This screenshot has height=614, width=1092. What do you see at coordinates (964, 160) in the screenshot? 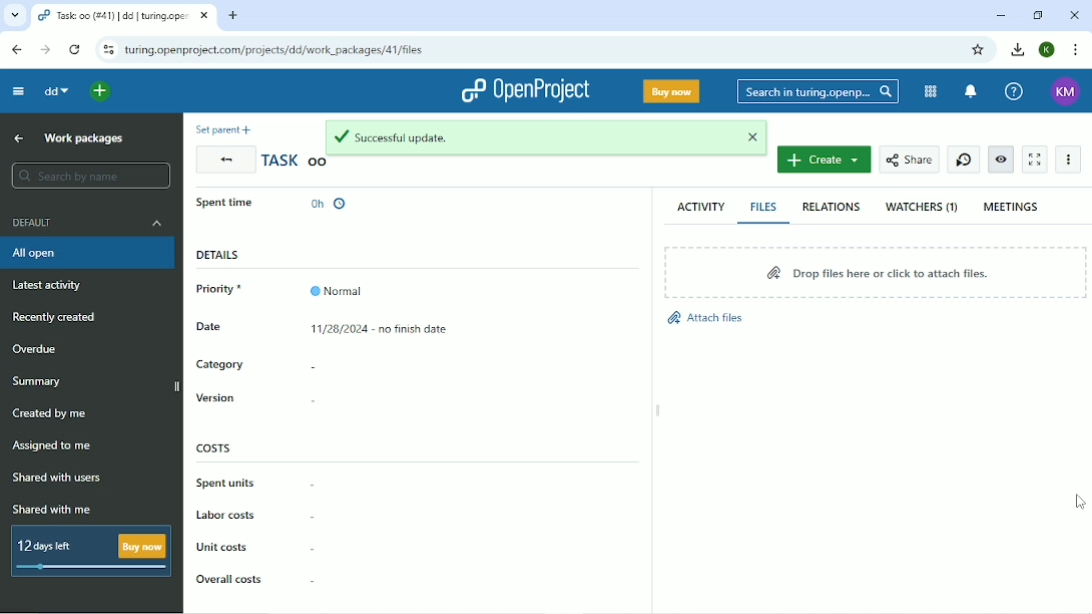
I see `Start new timer` at bounding box center [964, 160].